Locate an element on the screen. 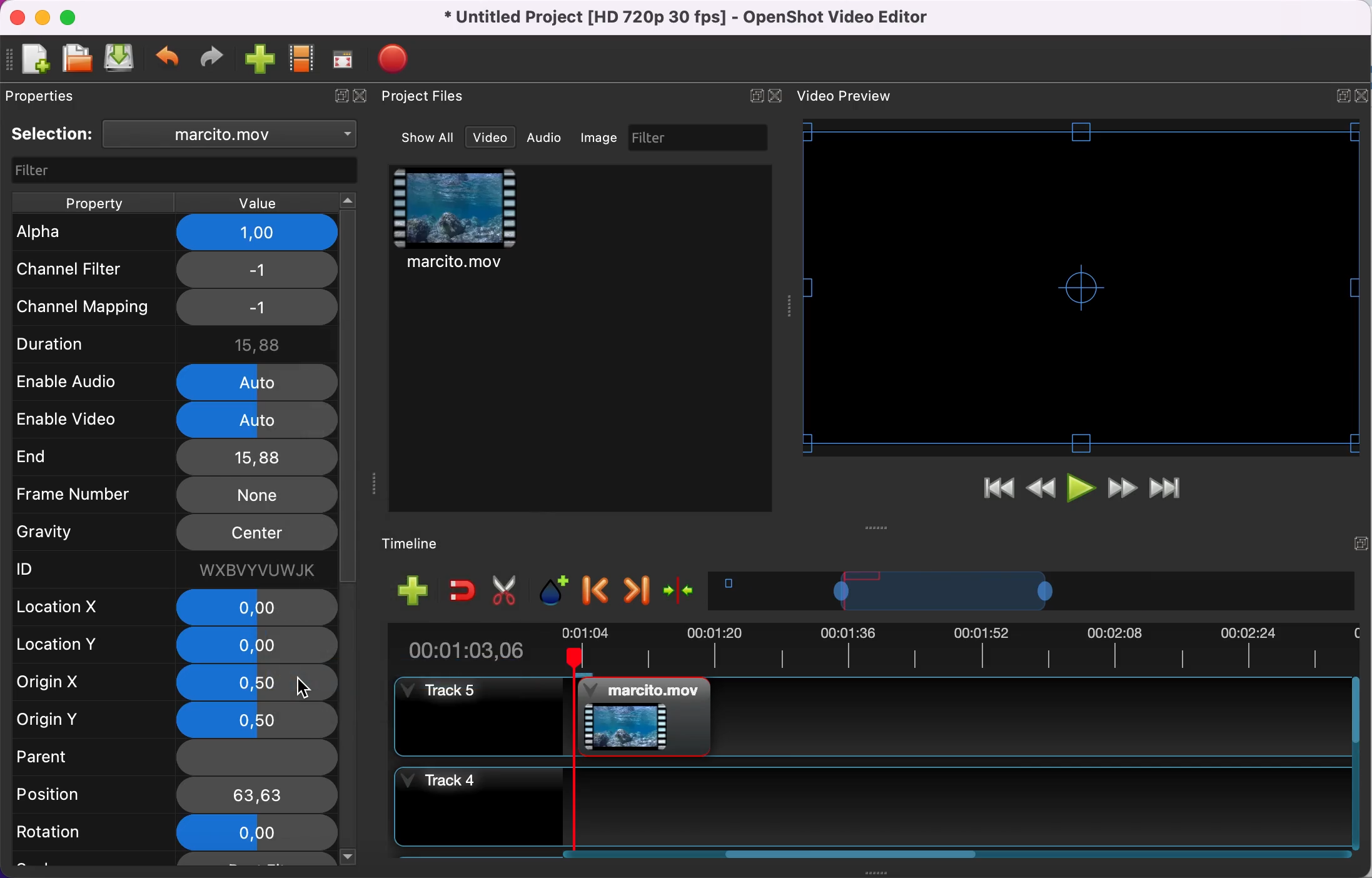  enable video auto is located at coordinates (175, 420).